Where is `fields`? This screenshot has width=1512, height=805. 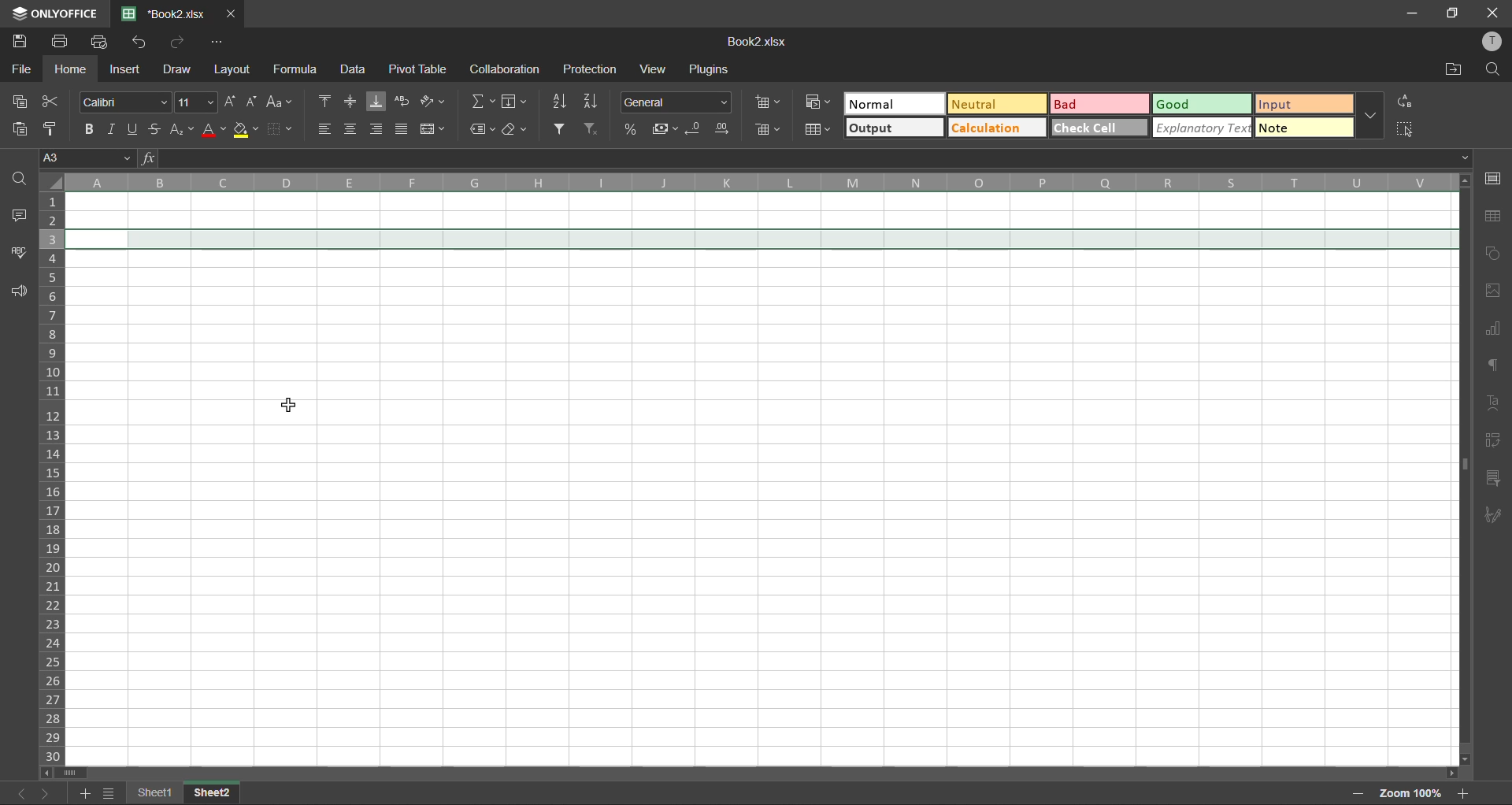
fields is located at coordinates (517, 101).